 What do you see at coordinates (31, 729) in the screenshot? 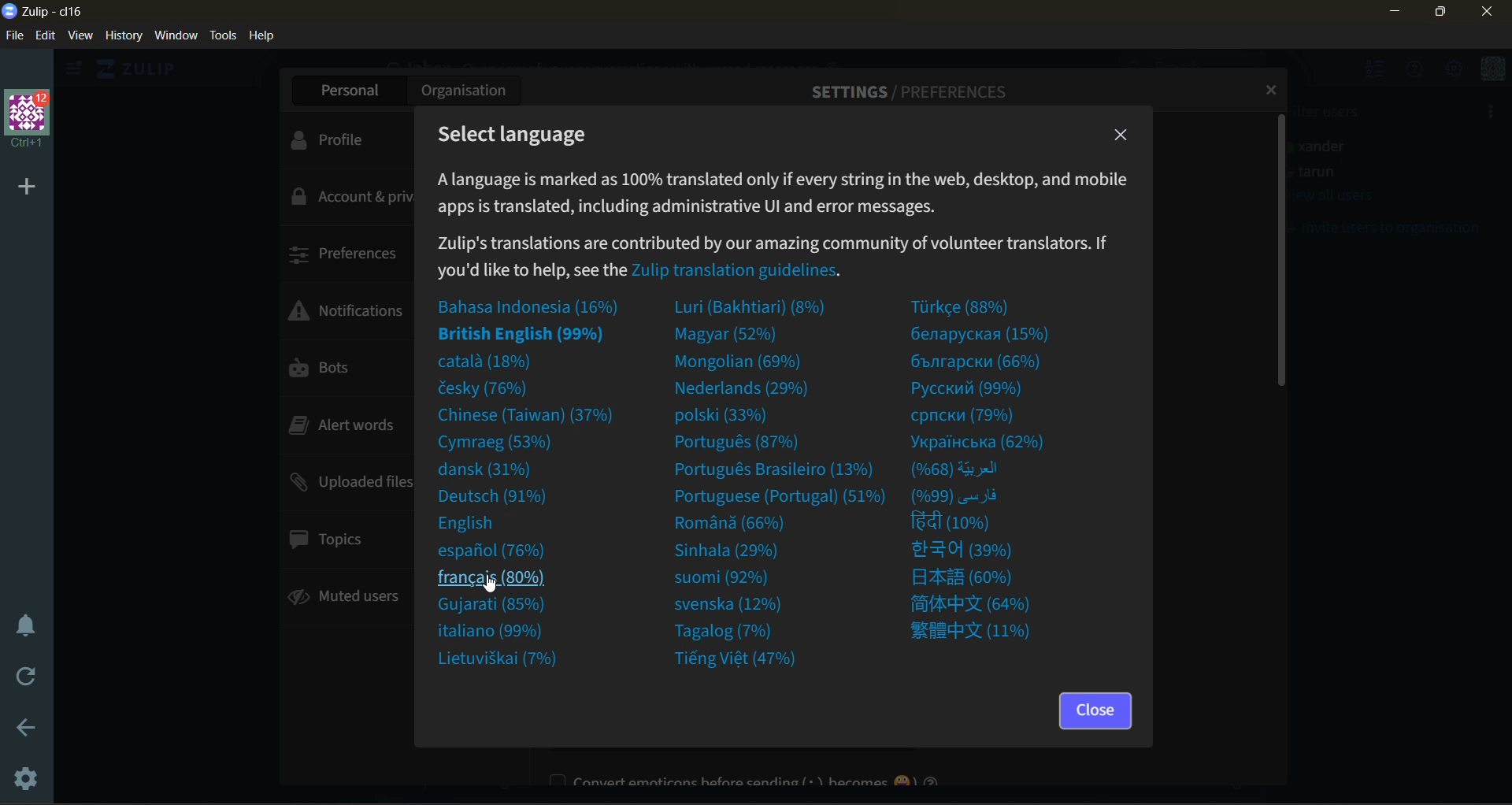
I see `go back` at bounding box center [31, 729].